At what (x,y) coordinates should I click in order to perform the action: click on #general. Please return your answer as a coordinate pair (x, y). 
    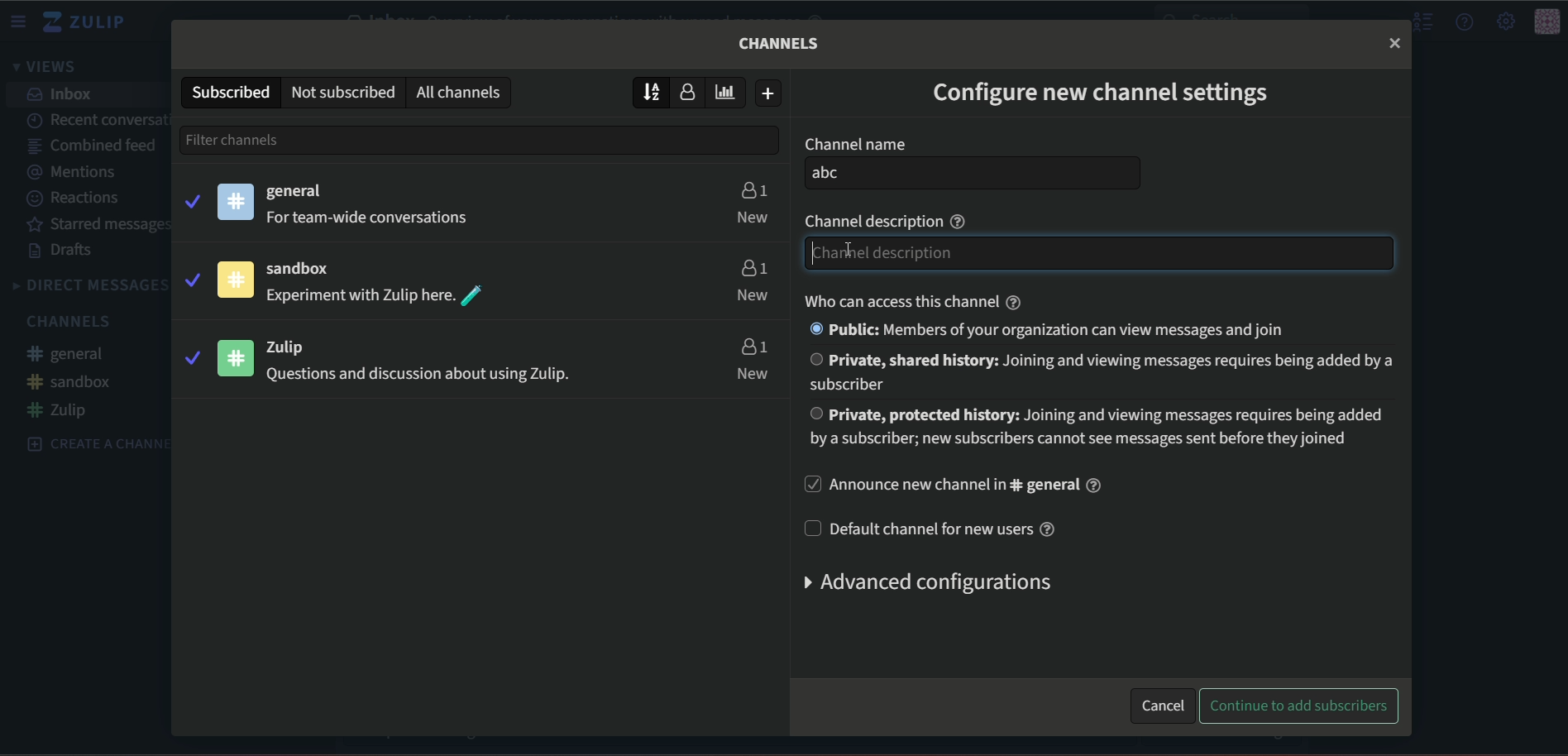
    Looking at the image, I should click on (74, 356).